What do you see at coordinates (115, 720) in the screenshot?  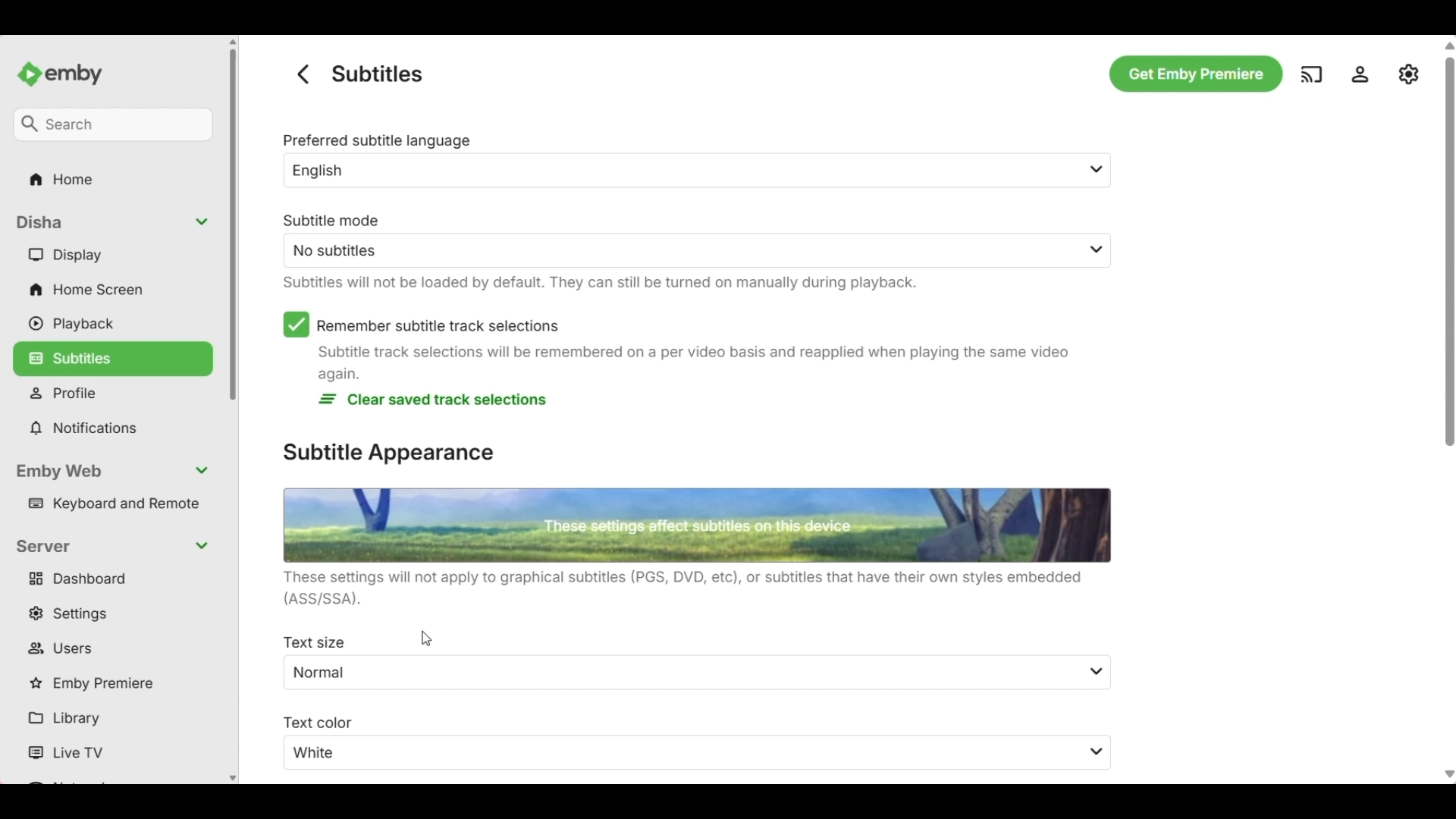 I see `Library` at bounding box center [115, 720].